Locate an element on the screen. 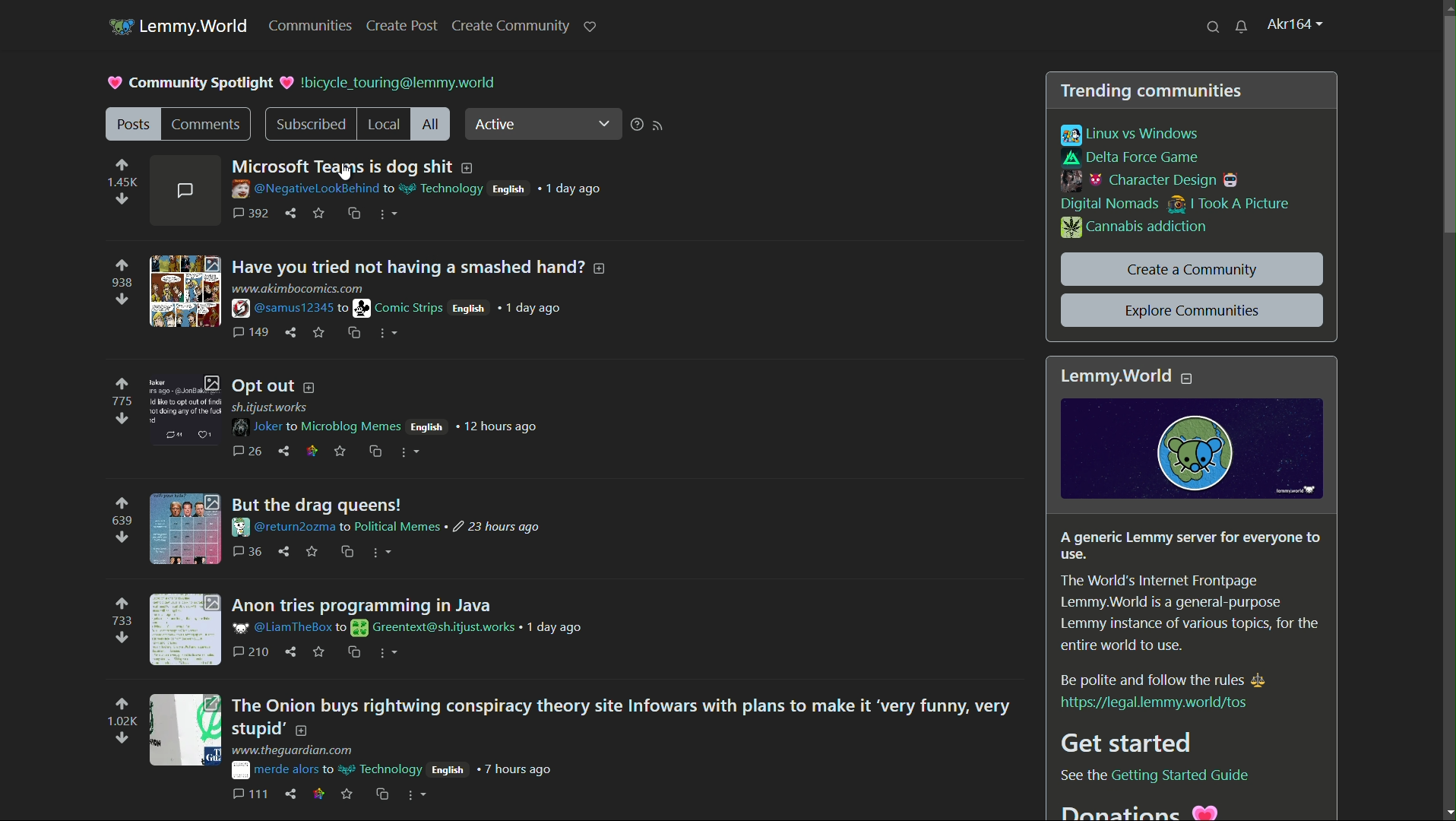 Image resolution: width=1456 pixels, height=821 pixels. share is located at coordinates (292, 792).